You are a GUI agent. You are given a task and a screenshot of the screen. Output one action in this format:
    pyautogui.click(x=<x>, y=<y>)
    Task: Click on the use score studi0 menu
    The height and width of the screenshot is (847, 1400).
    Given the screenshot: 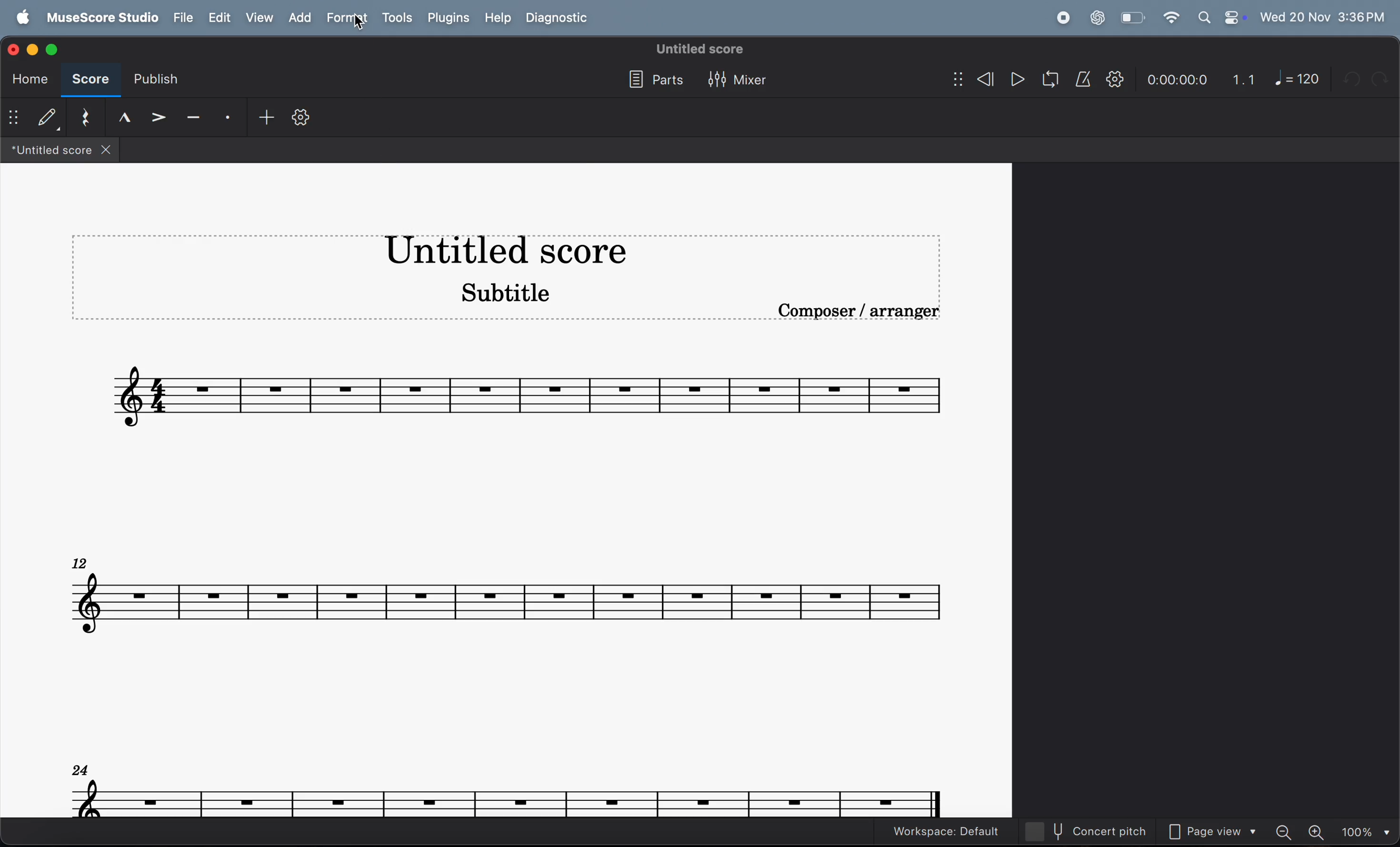 What is the action you would take?
    pyautogui.click(x=99, y=18)
    